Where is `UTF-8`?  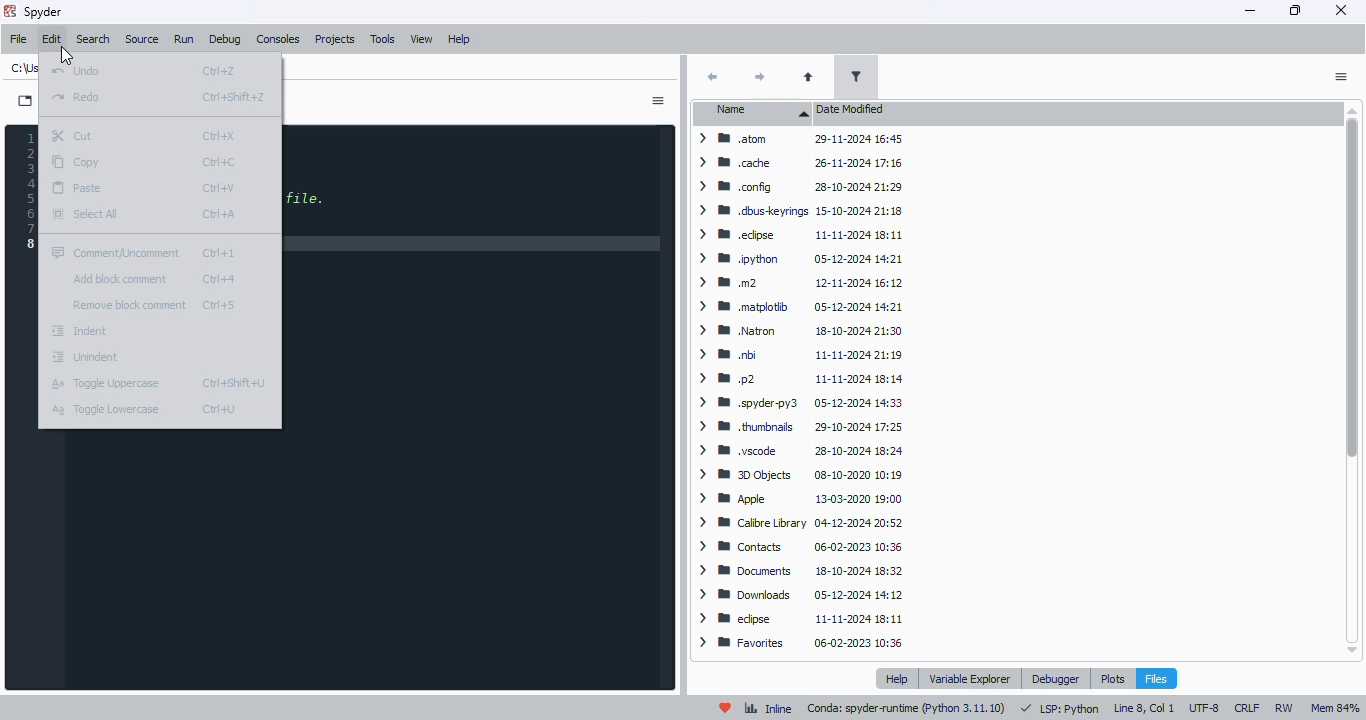
UTF-8 is located at coordinates (1204, 708).